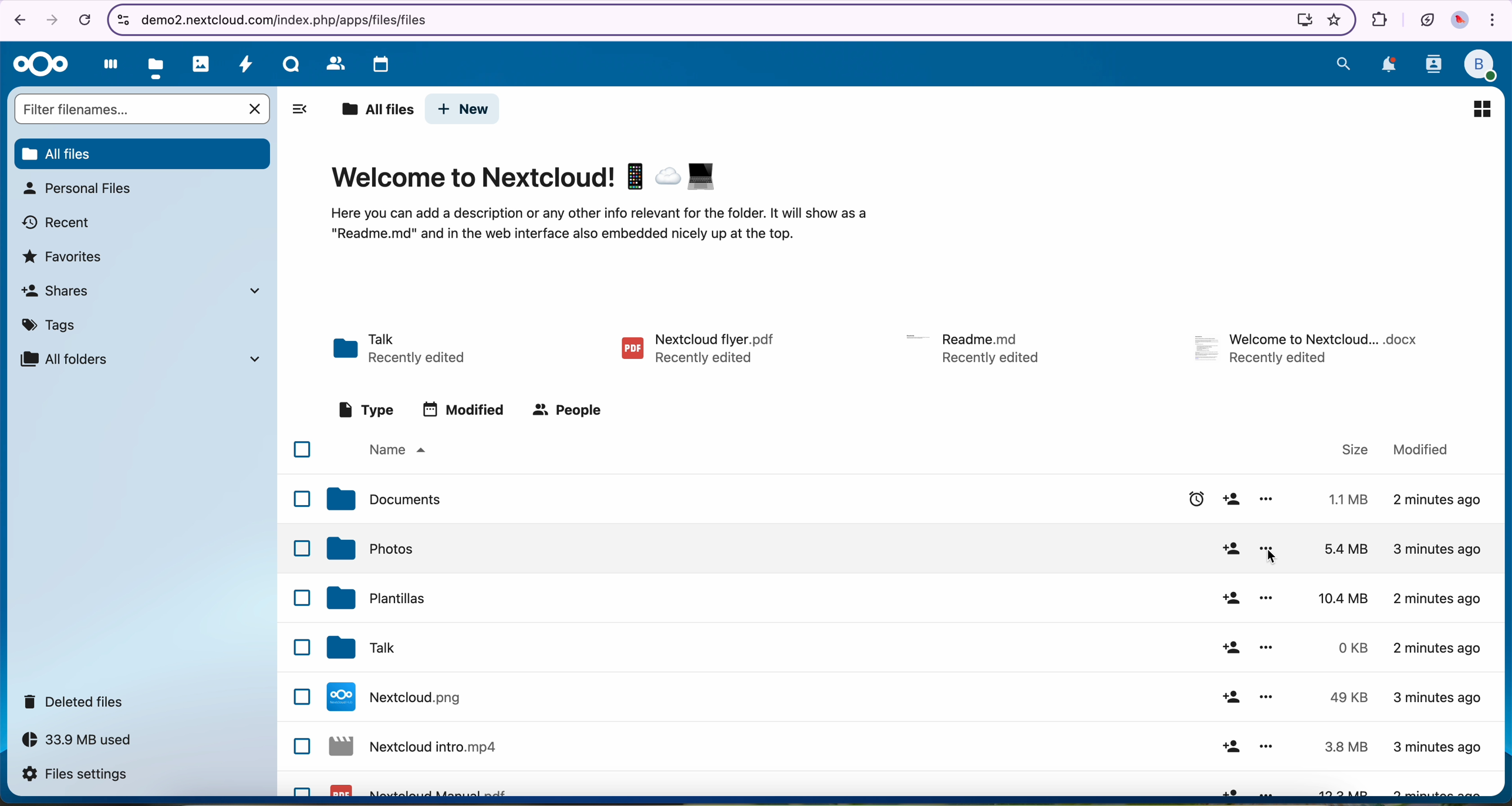 The image size is (1512, 806). What do you see at coordinates (1228, 697) in the screenshot?
I see `share` at bounding box center [1228, 697].